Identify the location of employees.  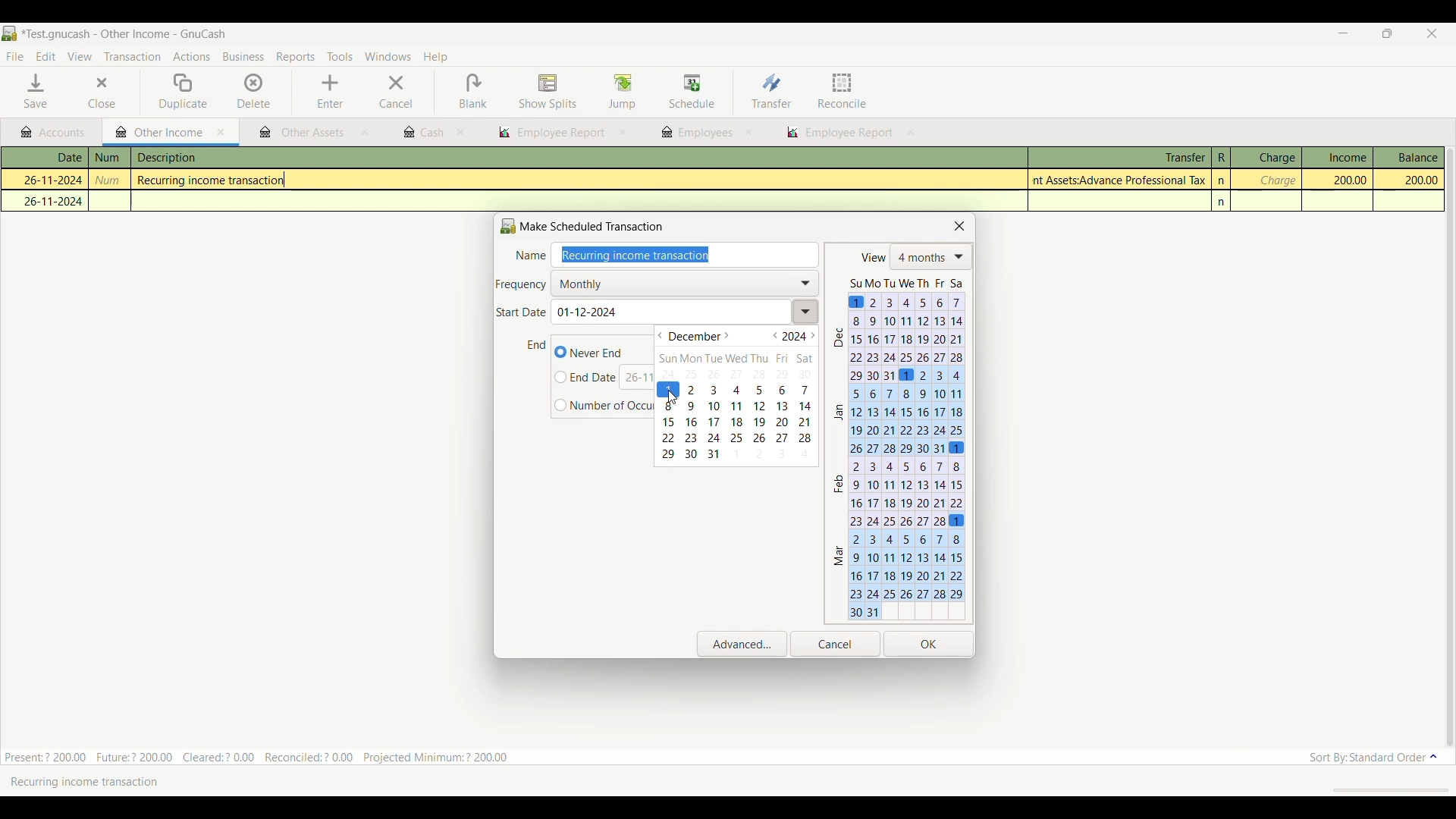
(695, 133).